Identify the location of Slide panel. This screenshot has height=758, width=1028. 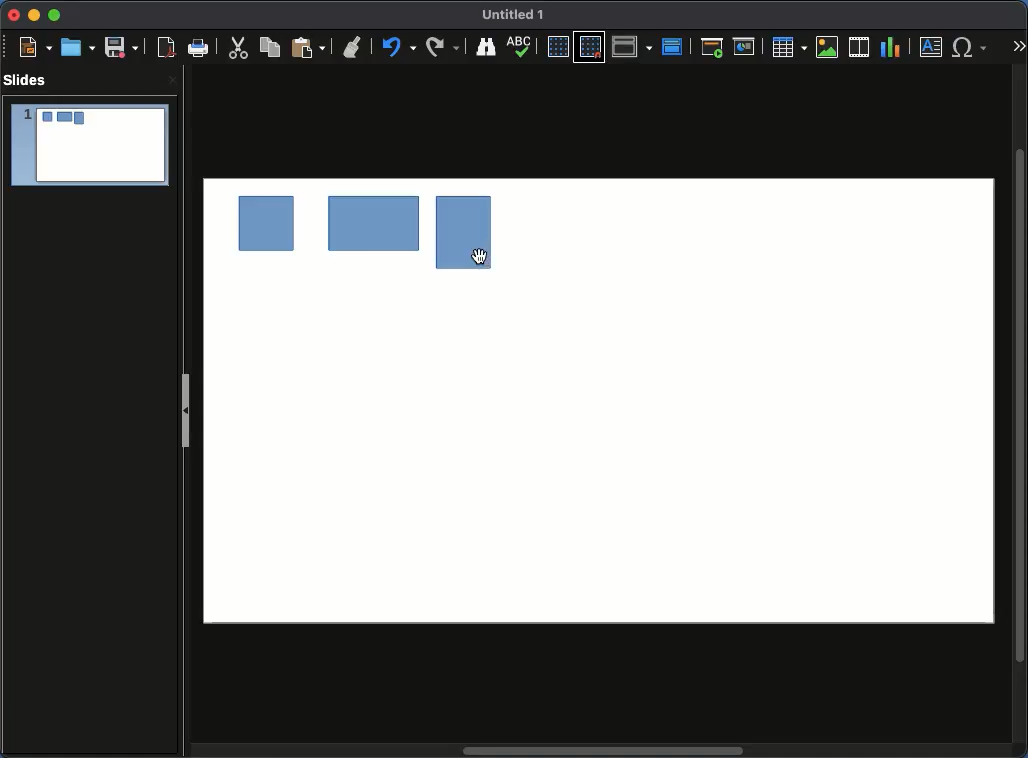
(186, 414).